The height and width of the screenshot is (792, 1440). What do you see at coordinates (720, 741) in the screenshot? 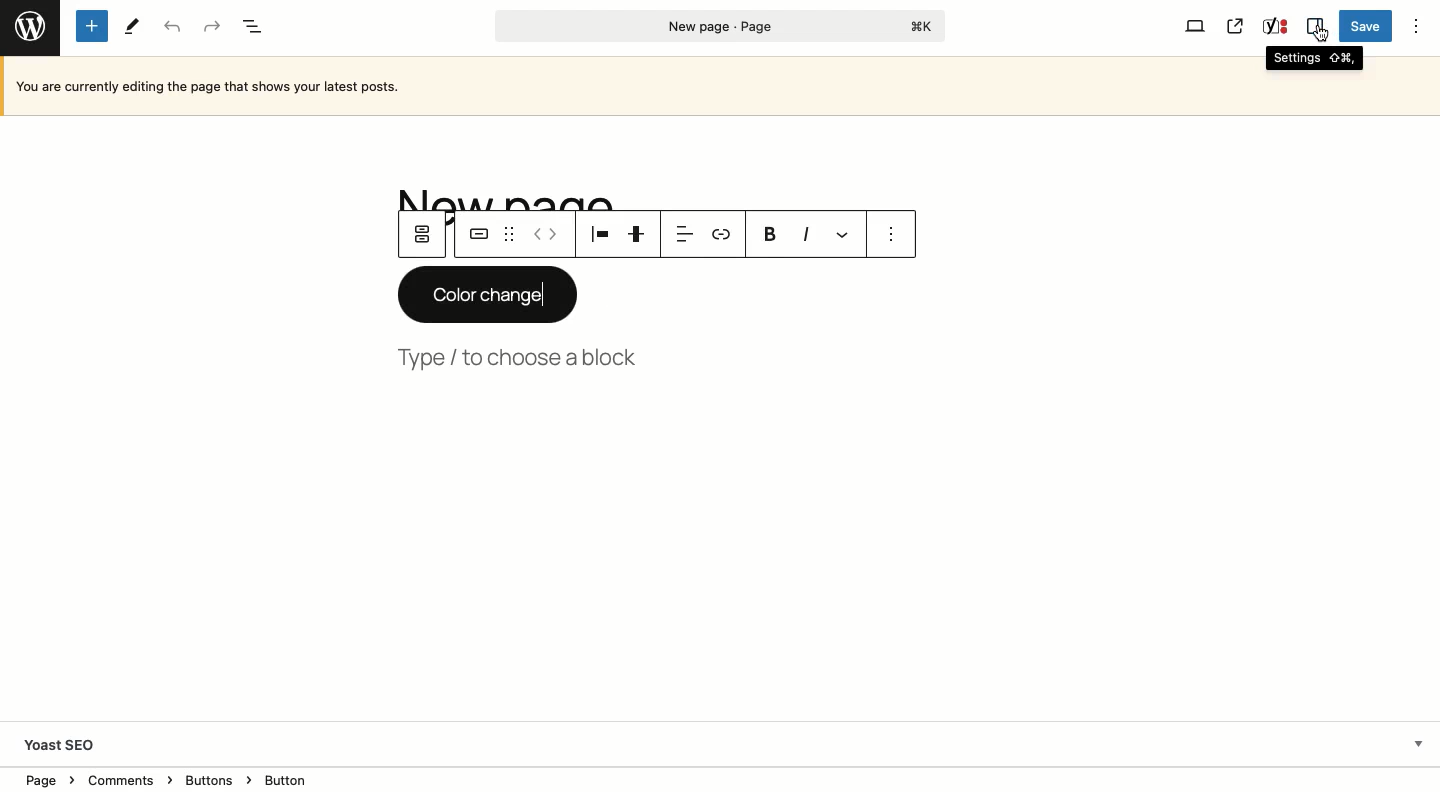
I see `Yoast SEO` at bounding box center [720, 741].